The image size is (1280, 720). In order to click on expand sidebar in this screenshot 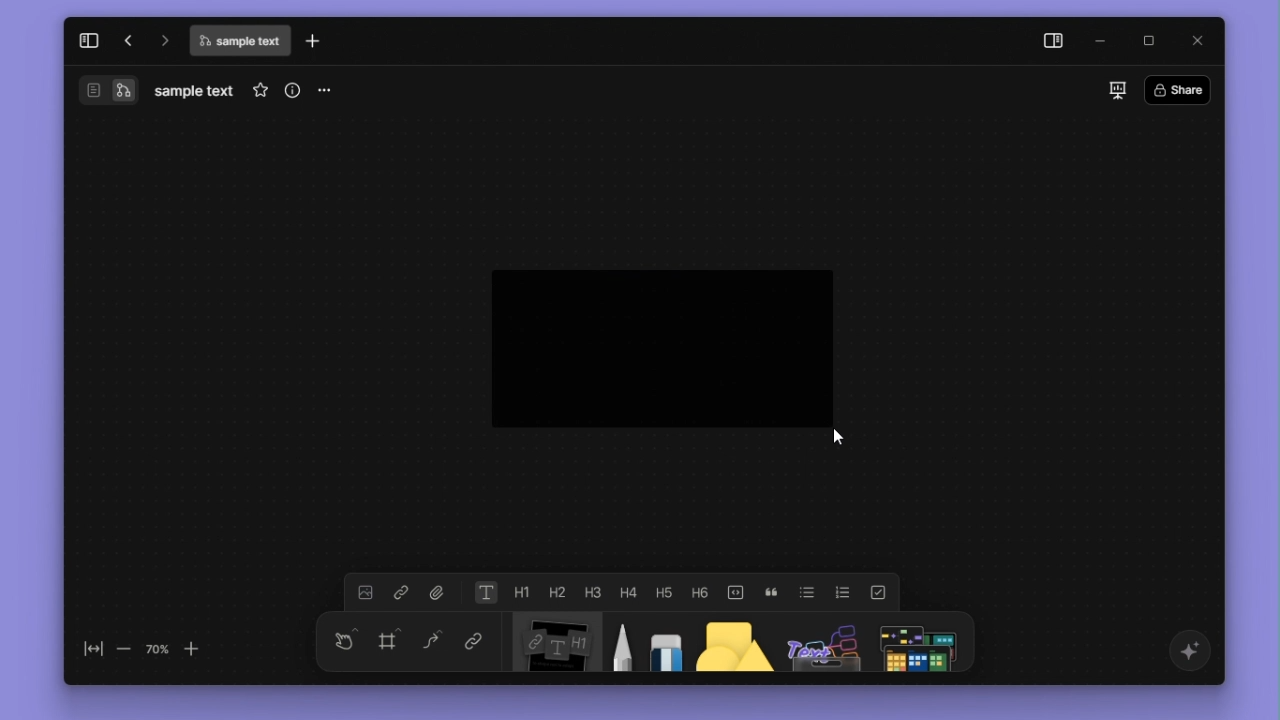, I will do `click(87, 38)`.